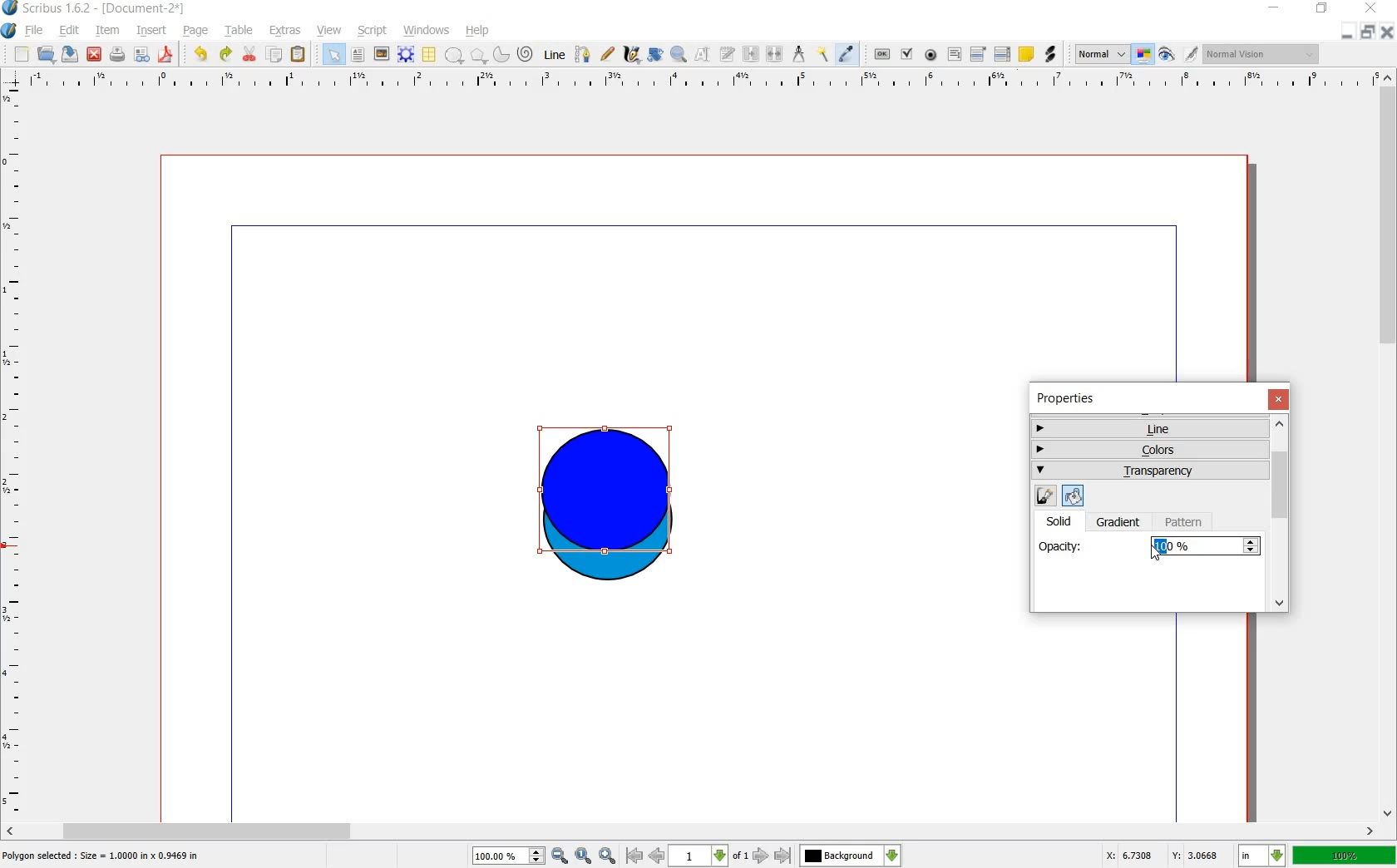 The width and height of the screenshot is (1397, 868). Describe the element at coordinates (1061, 545) in the screenshot. I see `opacity` at that location.